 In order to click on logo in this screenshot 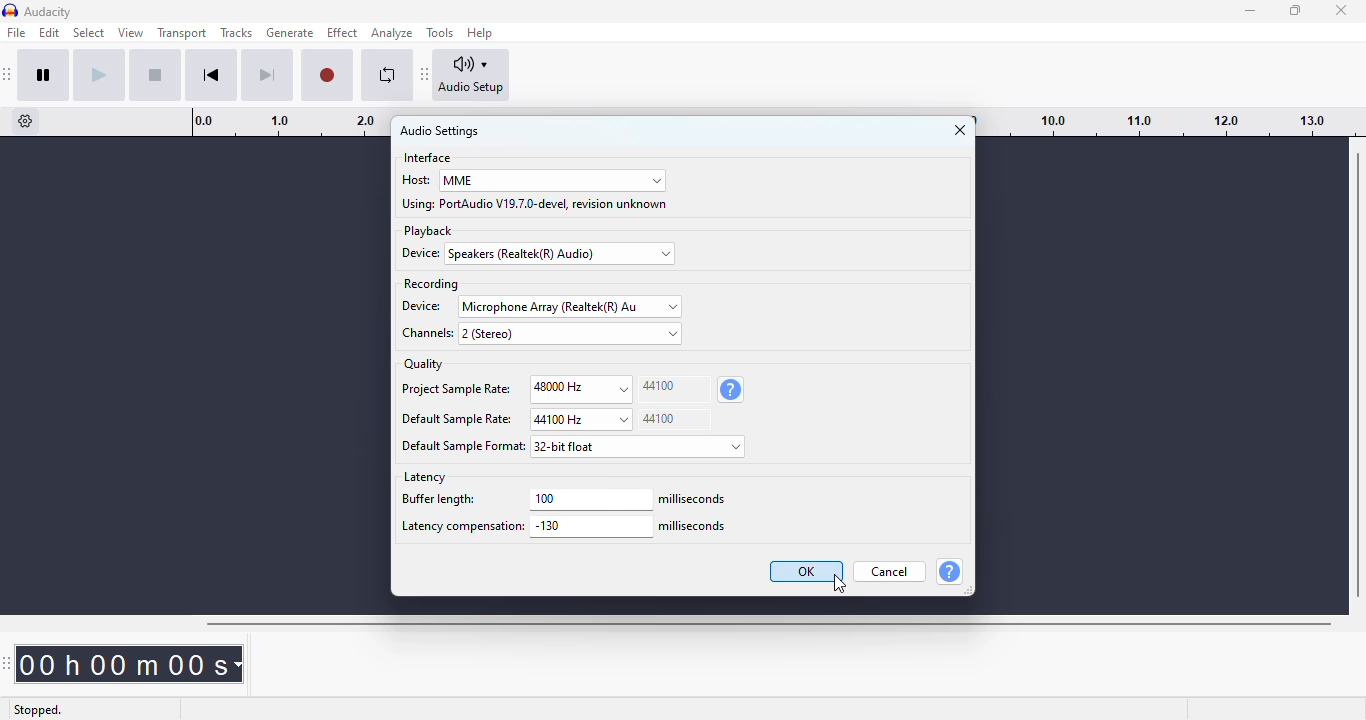, I will do `click(10, 11)`.